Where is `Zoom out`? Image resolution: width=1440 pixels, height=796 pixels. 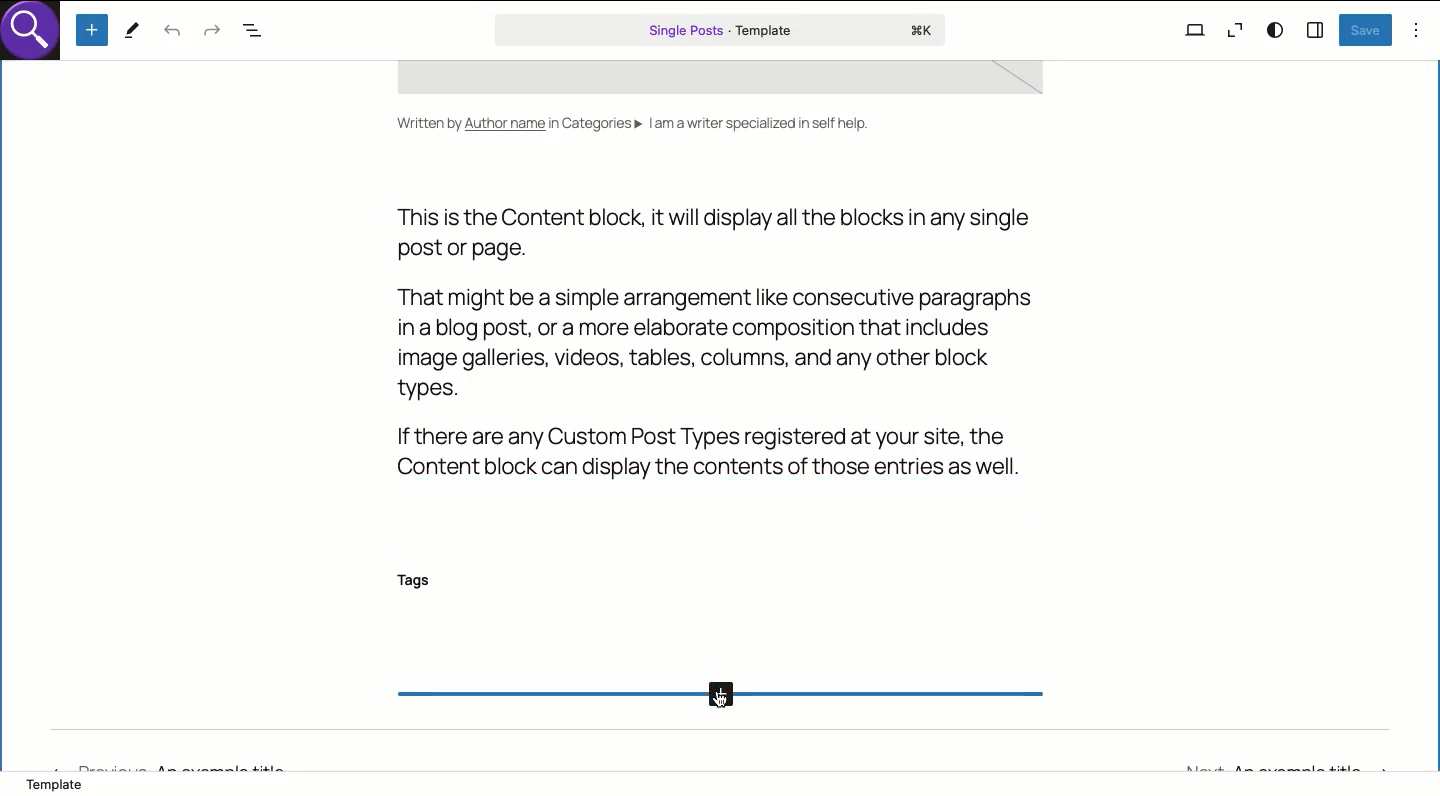 Zoom out is located at coordinates (1233, 33).